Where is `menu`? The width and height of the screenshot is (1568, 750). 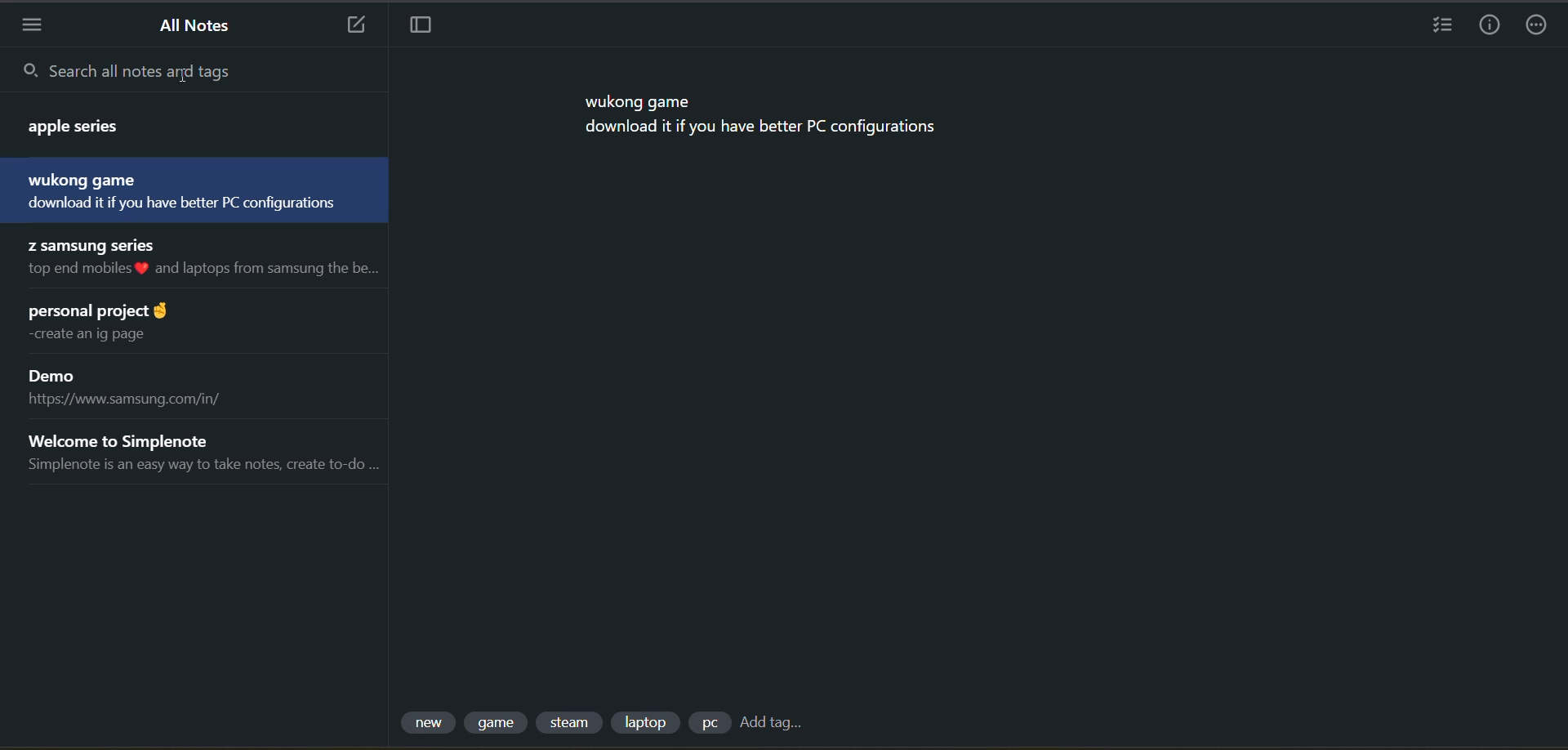 menu is located at coordinates (28, 25).